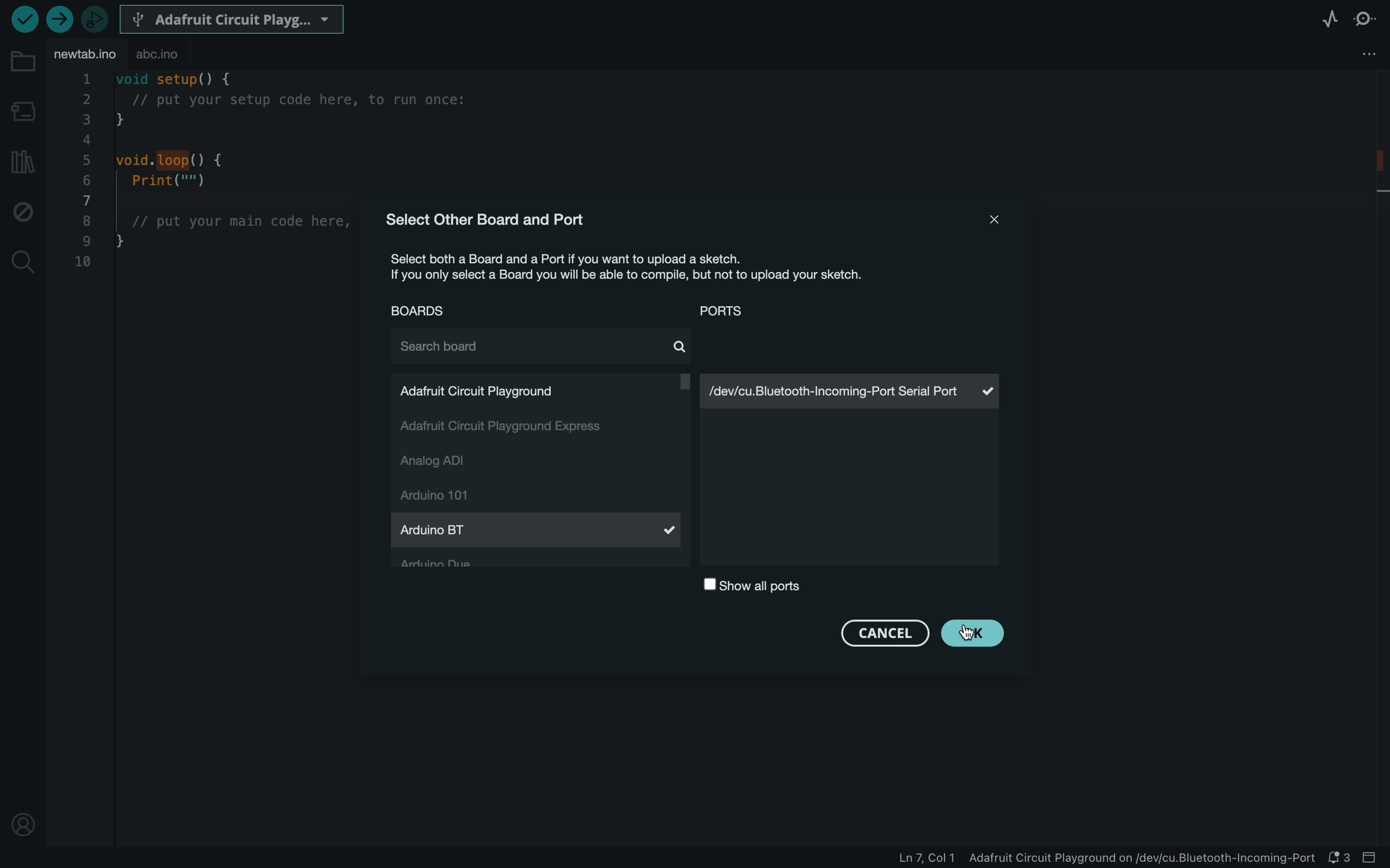 Image resolution: width=1390 pixels, height=868 pixels. Describe the element at coordinates (93, 18) in the screenshot. I see `debugger` at that location.